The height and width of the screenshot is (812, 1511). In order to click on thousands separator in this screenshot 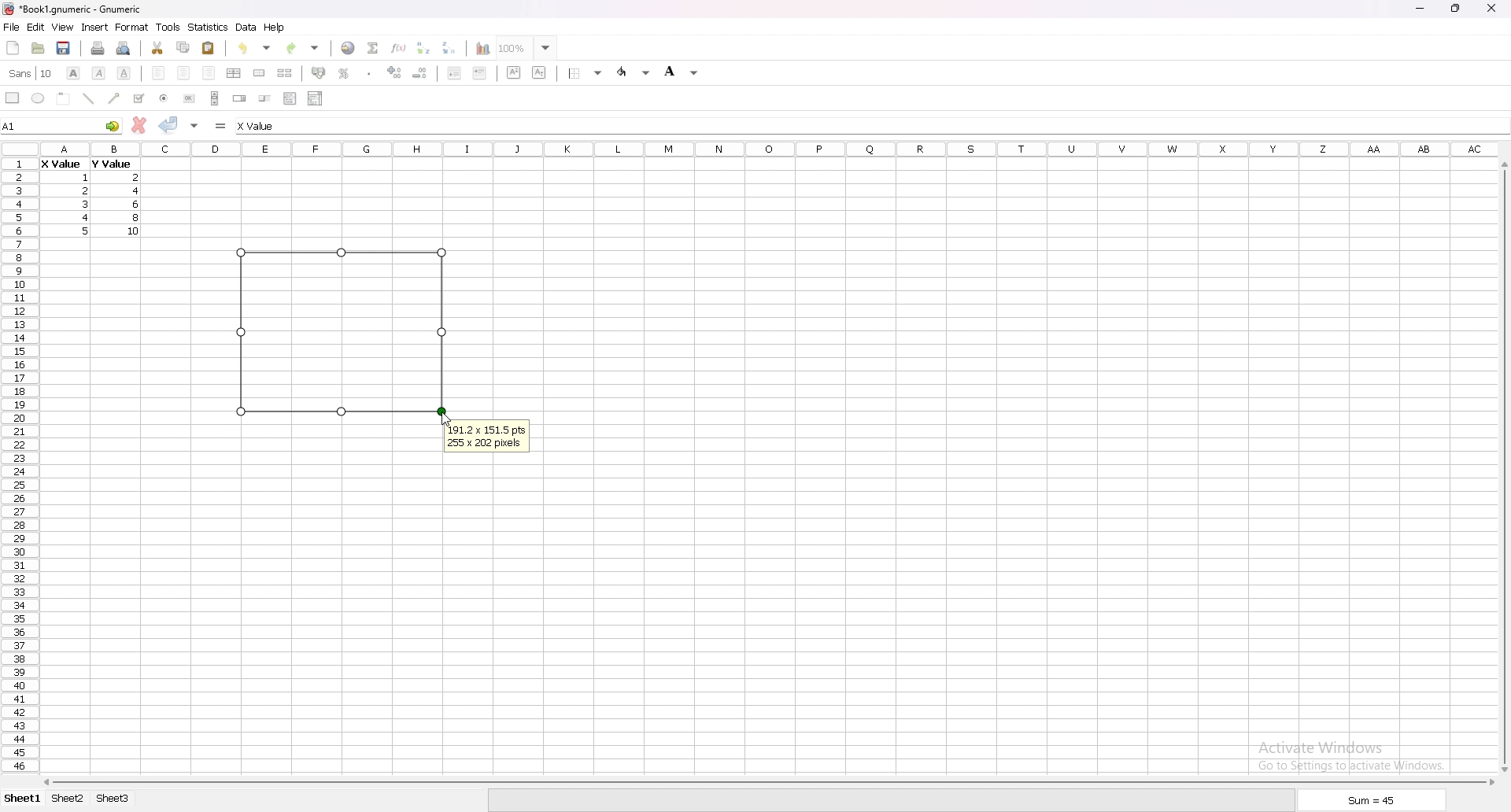, I will do `click(370, 72)`.